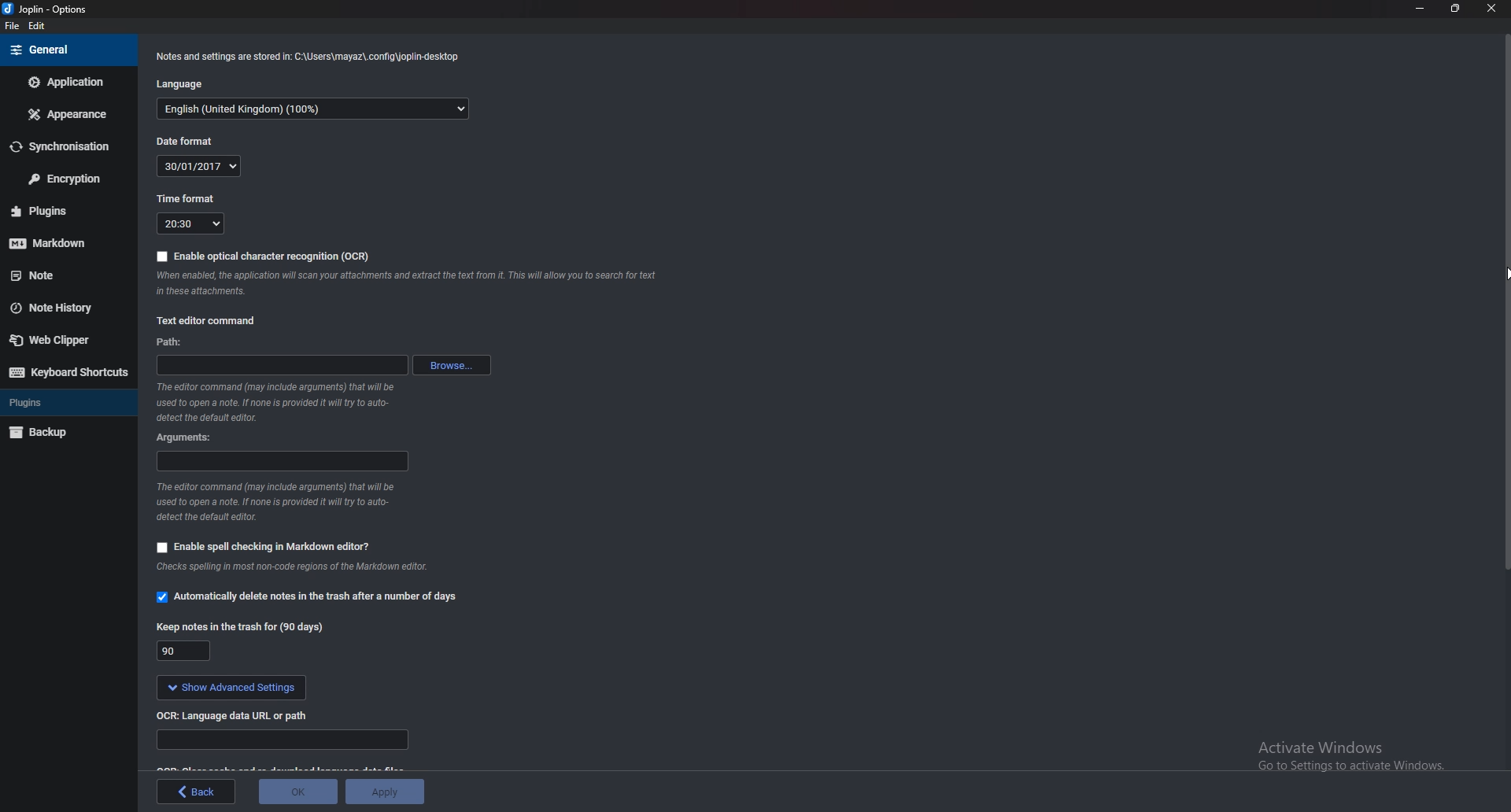 This screenshot has width=1511, height=812. I want to click on path, so click(282, 366).